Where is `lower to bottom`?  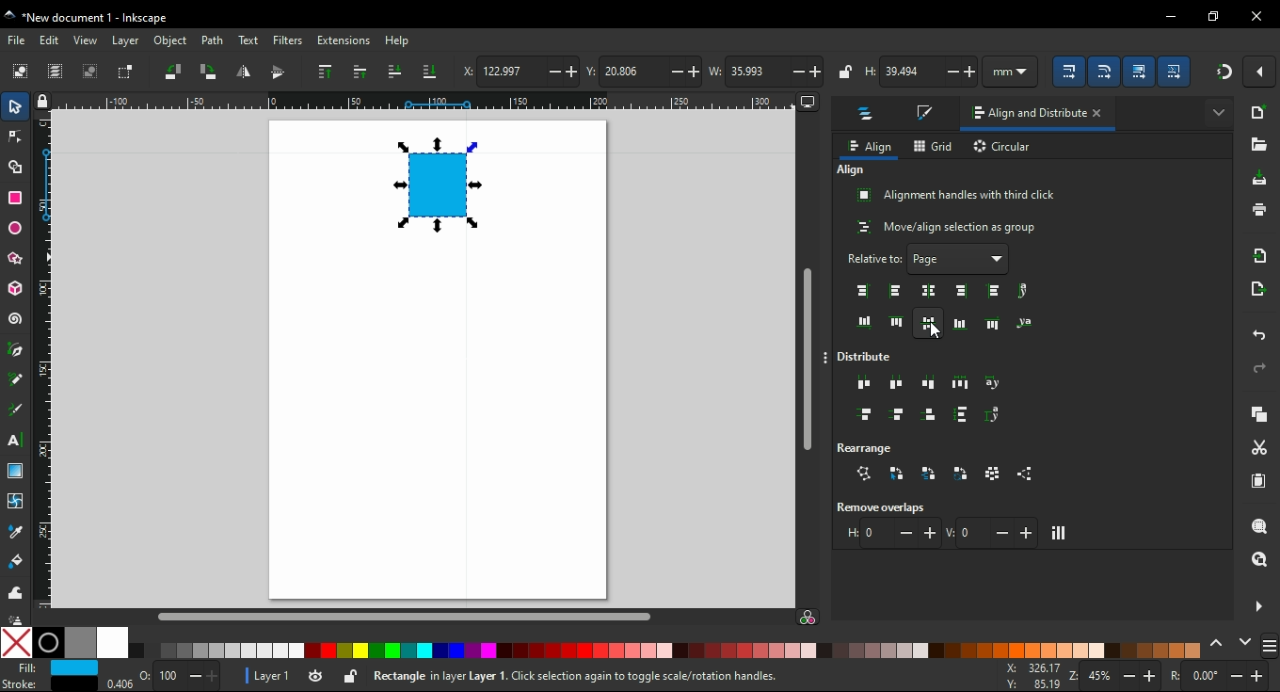 lower to bottom is located at coordinates (430, 71).